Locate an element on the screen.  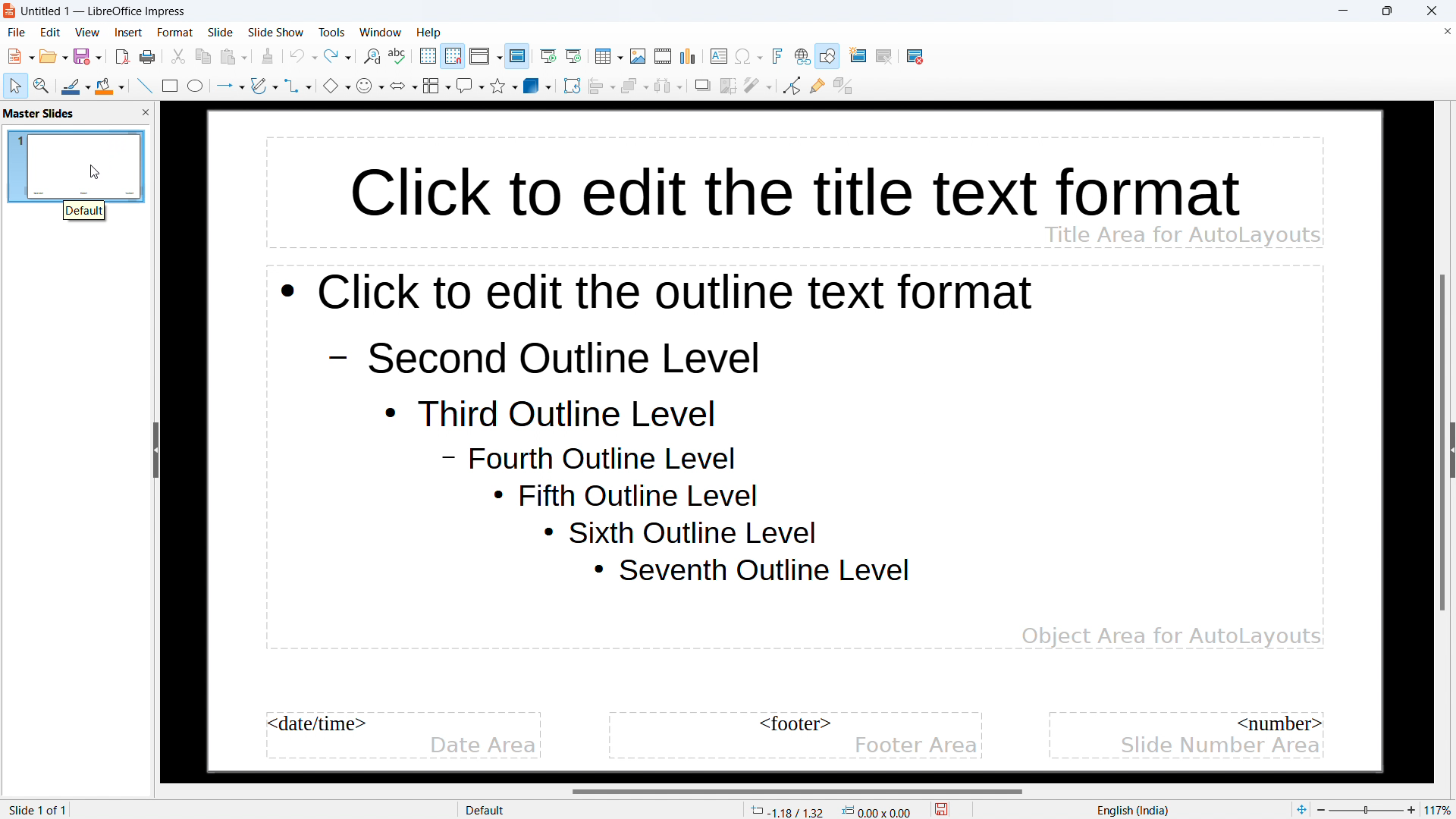
callout shapes is located at coordinates (470, 86).